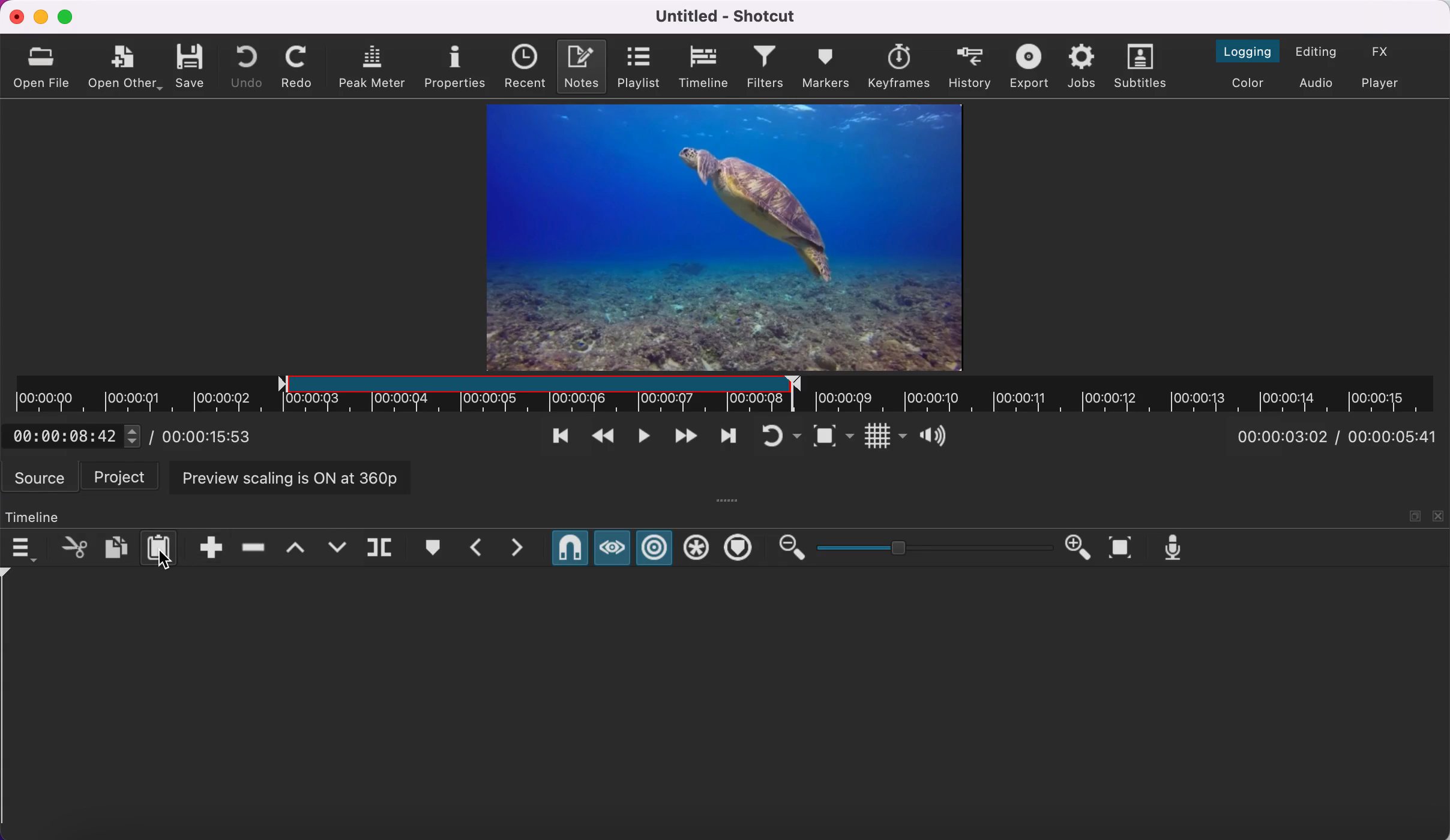 The height and width of the screenshot is (840, 1450). What do you see at coordinates (140, 393) in the screenshot?
I see `unclipped region of timeline` at bounding box center [140, 393].